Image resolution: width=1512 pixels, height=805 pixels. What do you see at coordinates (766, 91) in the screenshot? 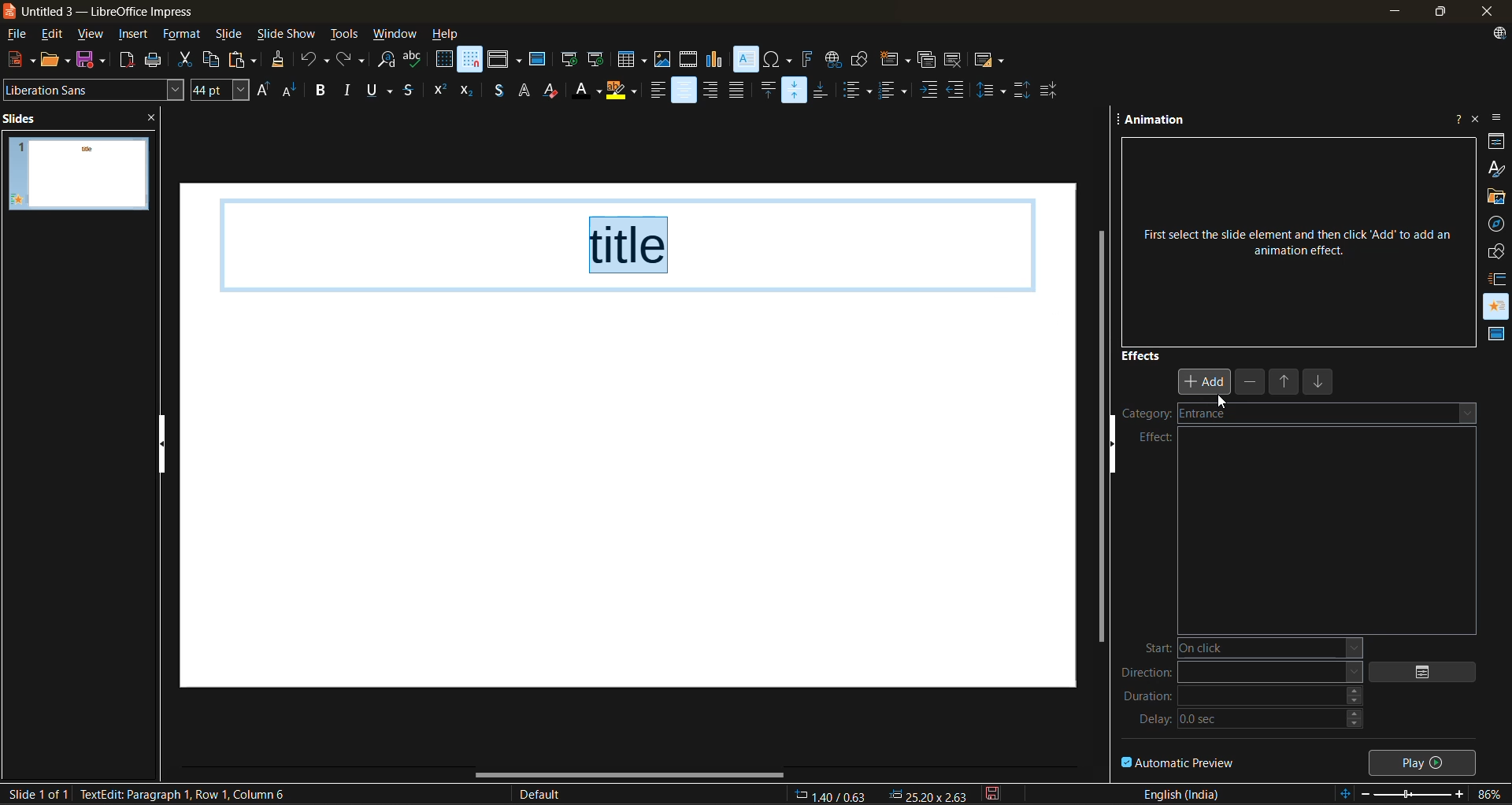
I see `align top` at bounding box center [766, 91].